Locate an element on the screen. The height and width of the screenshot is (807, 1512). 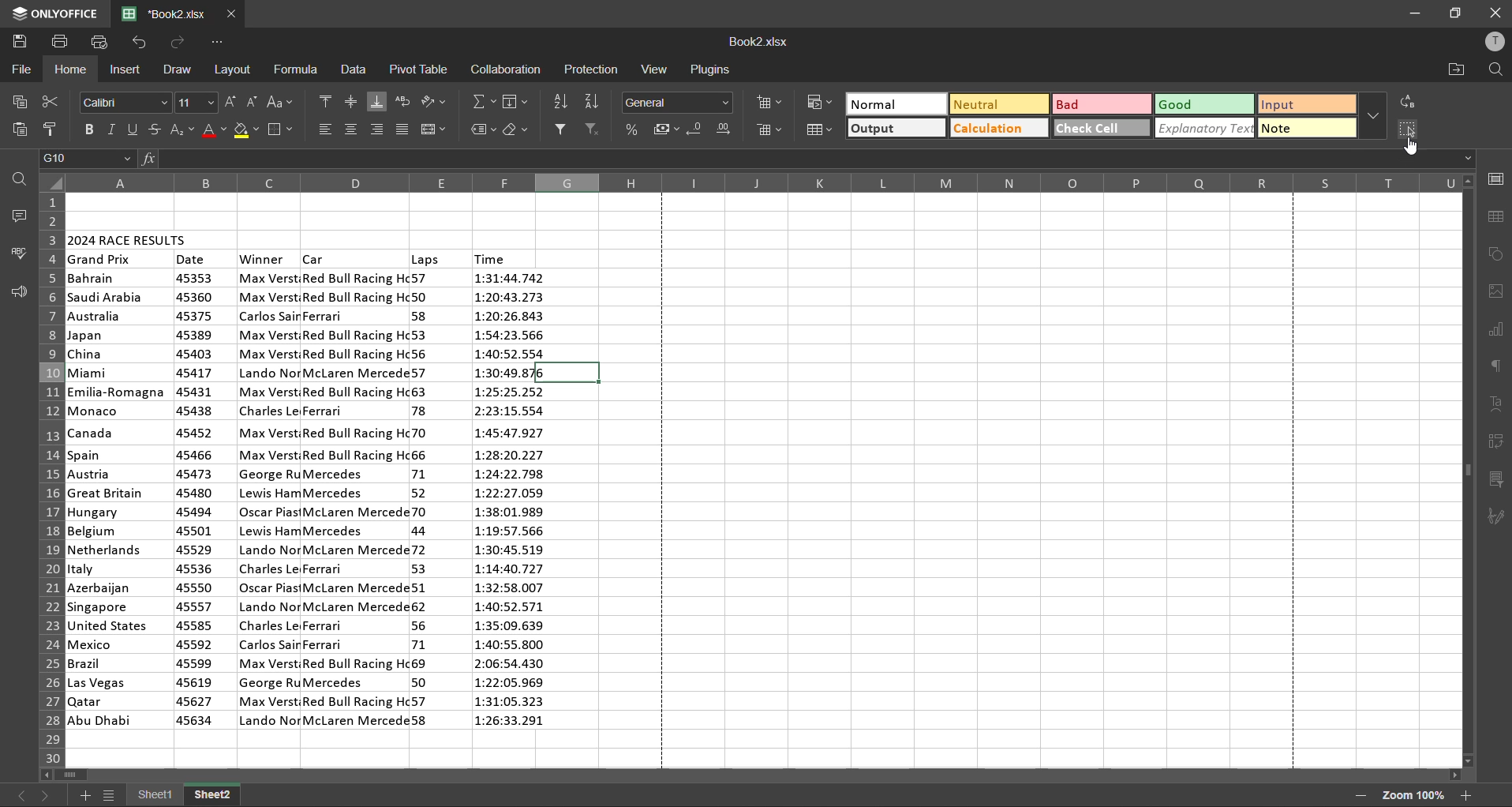
neutral is located at coordinates (997, 105).